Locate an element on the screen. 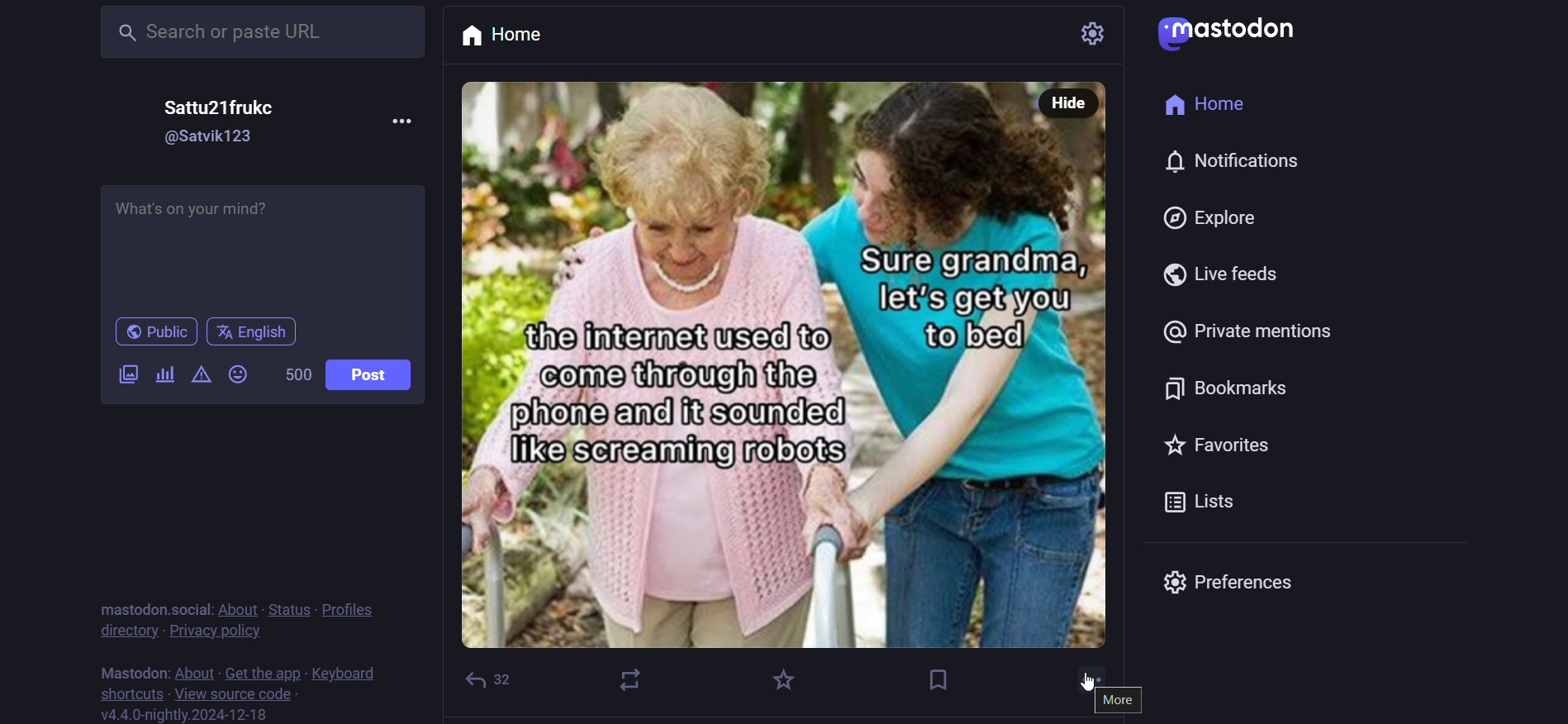 Image resolution: width=1568 pixels, height=724 pixels. shortcut is located at coordinates (126, 694).